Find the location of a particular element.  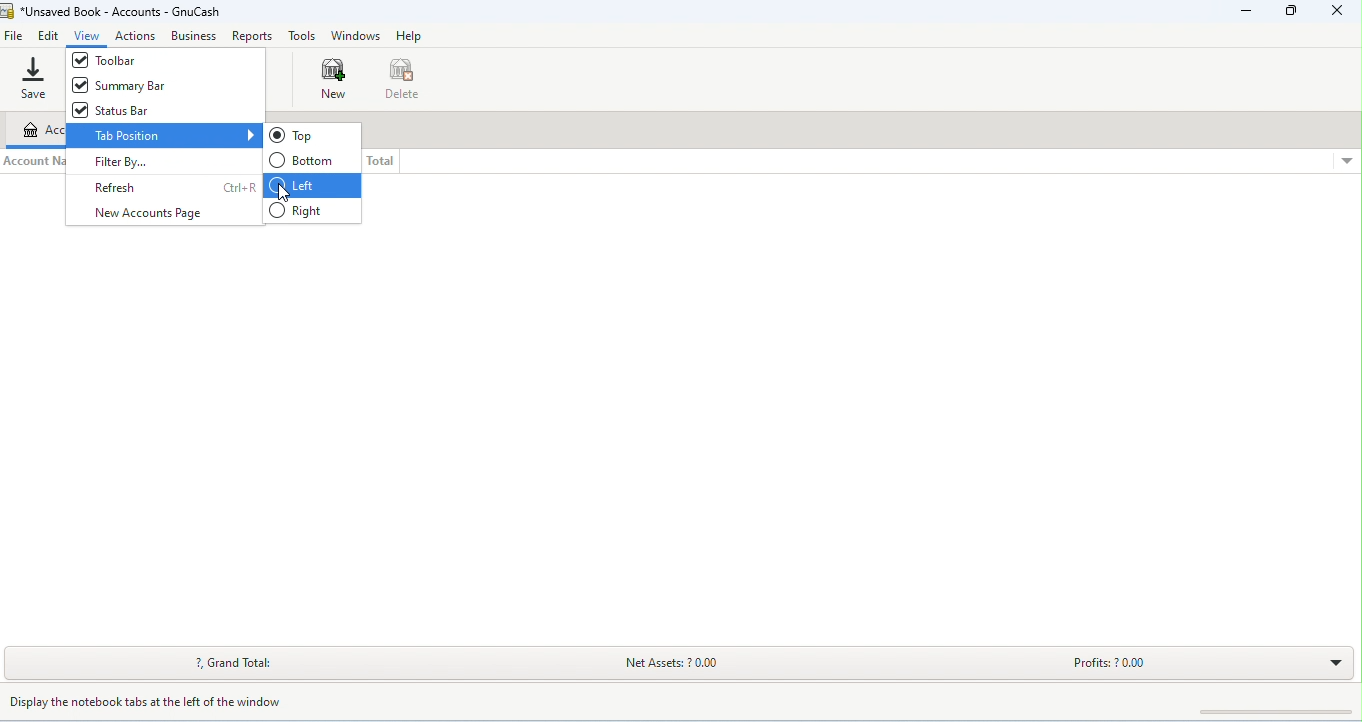

title is located at coordinates (114, 13).